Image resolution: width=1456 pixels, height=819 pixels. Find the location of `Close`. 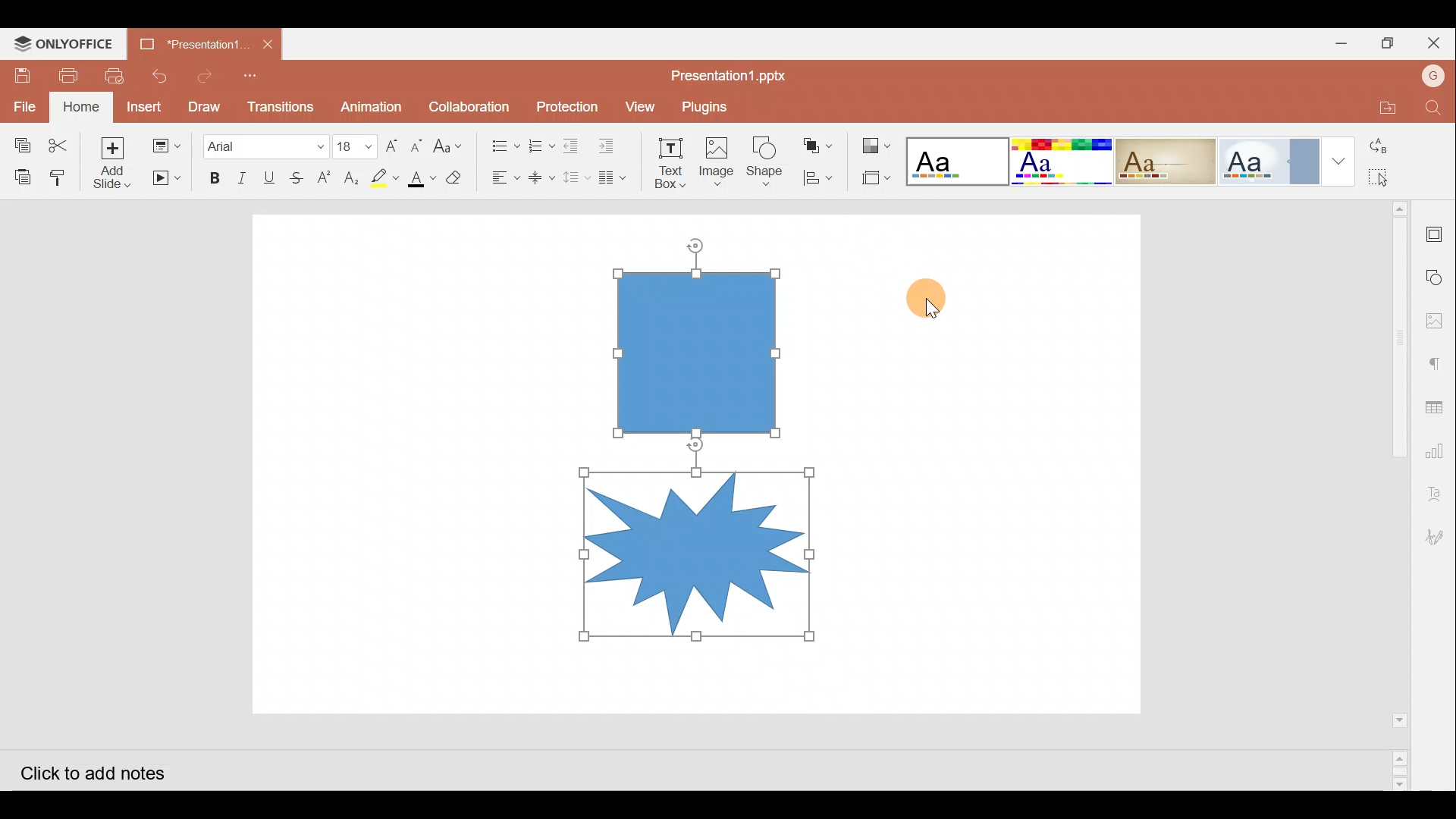

Close is located at coordinates (1436, 42).